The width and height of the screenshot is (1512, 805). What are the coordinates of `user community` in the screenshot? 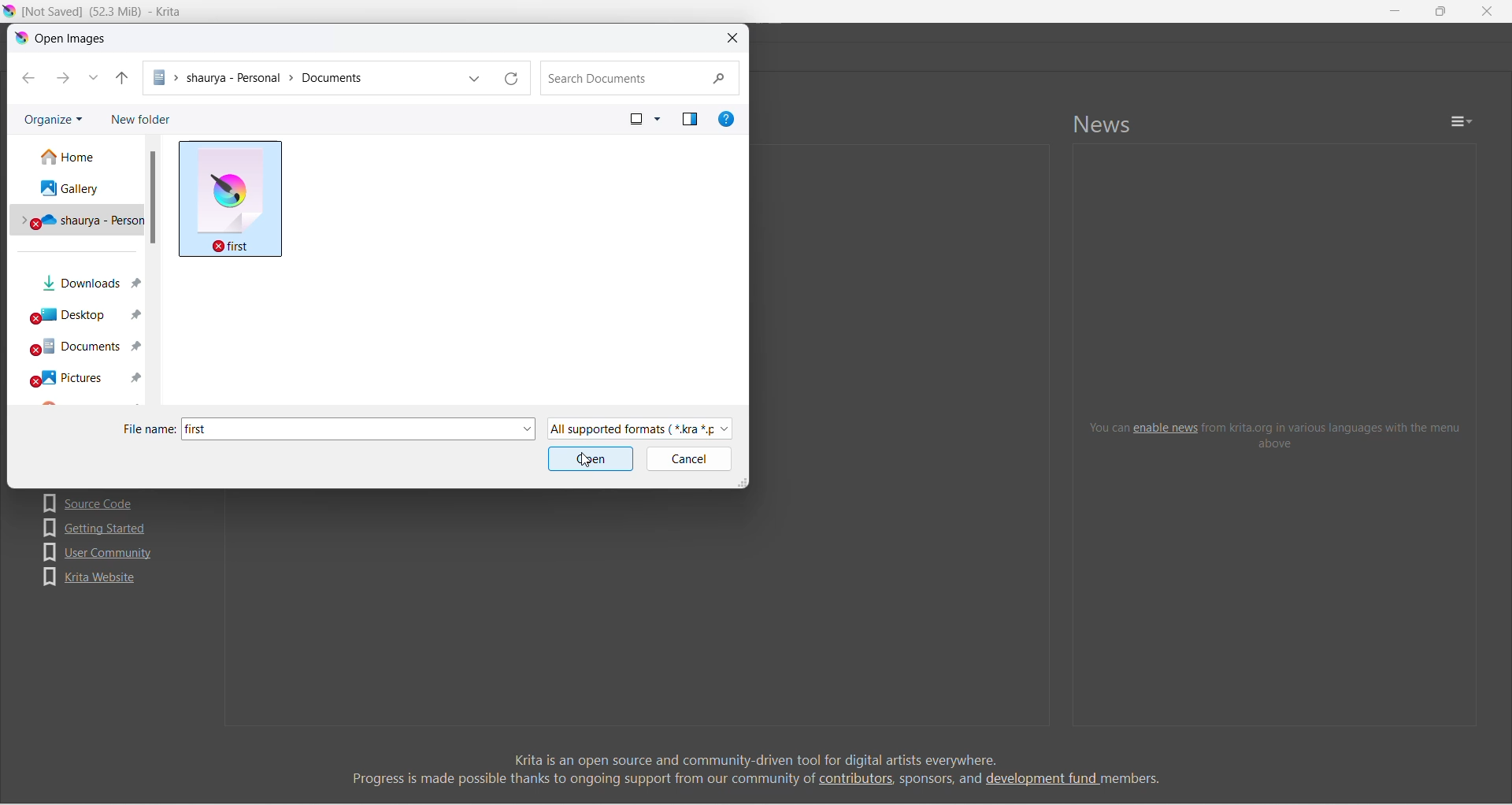 It's located at (98, 552).